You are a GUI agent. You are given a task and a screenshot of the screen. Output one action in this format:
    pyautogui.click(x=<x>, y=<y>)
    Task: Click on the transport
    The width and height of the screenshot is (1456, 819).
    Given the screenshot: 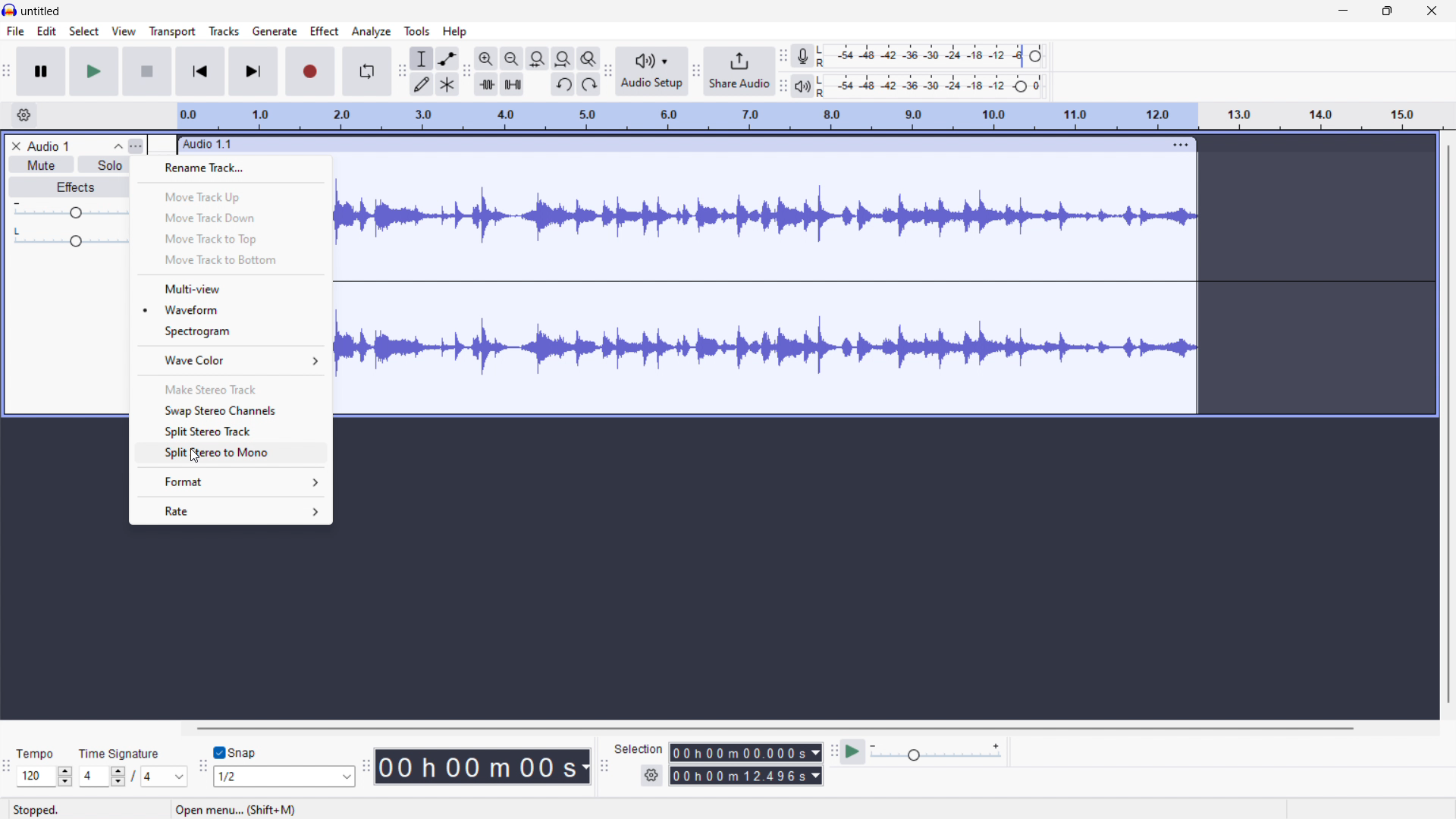 What is the action you would take?
    pyautogui.click(x=172, y=31)
    